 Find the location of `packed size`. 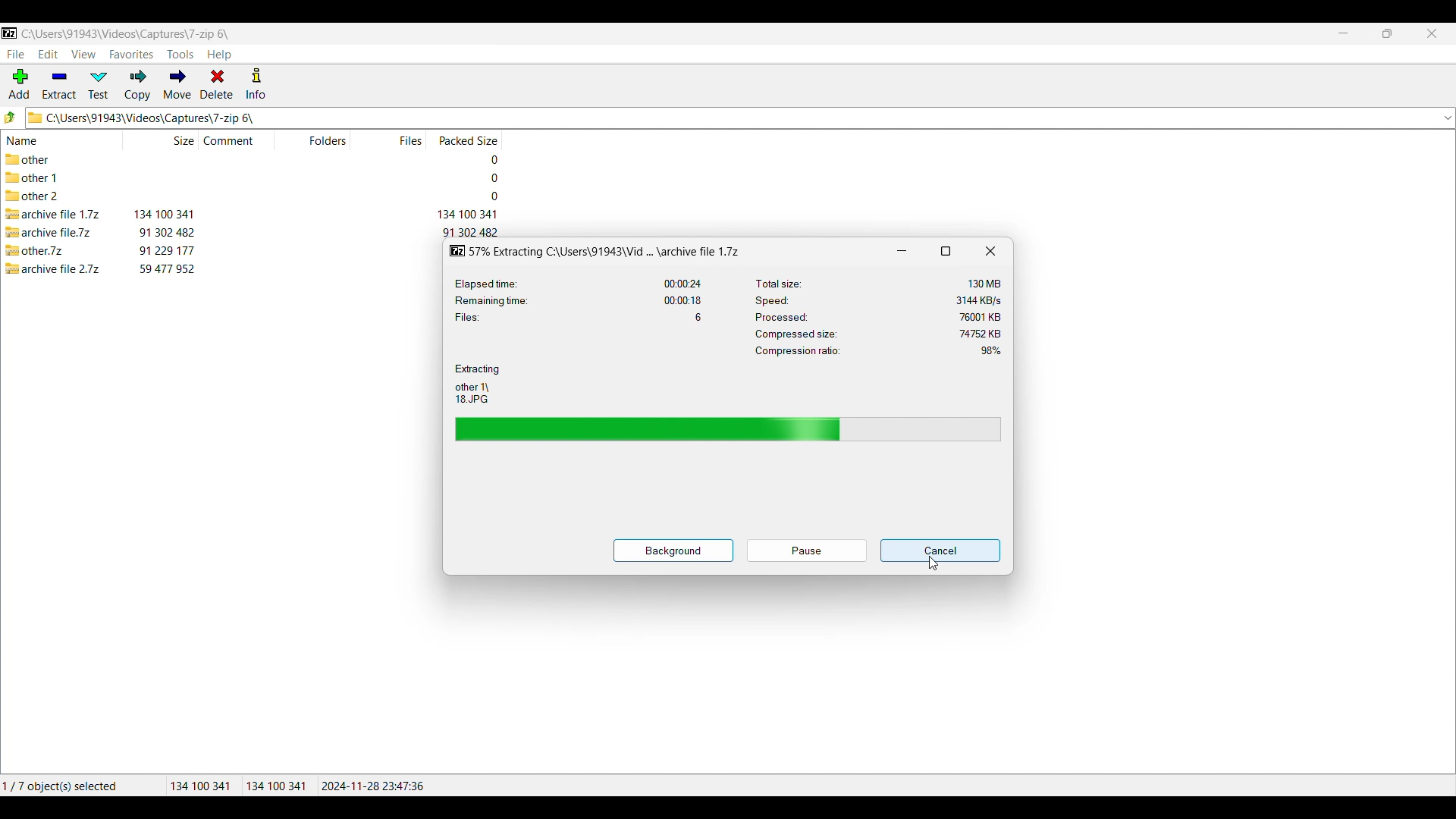

packed size is located at coordinates (466, 215).